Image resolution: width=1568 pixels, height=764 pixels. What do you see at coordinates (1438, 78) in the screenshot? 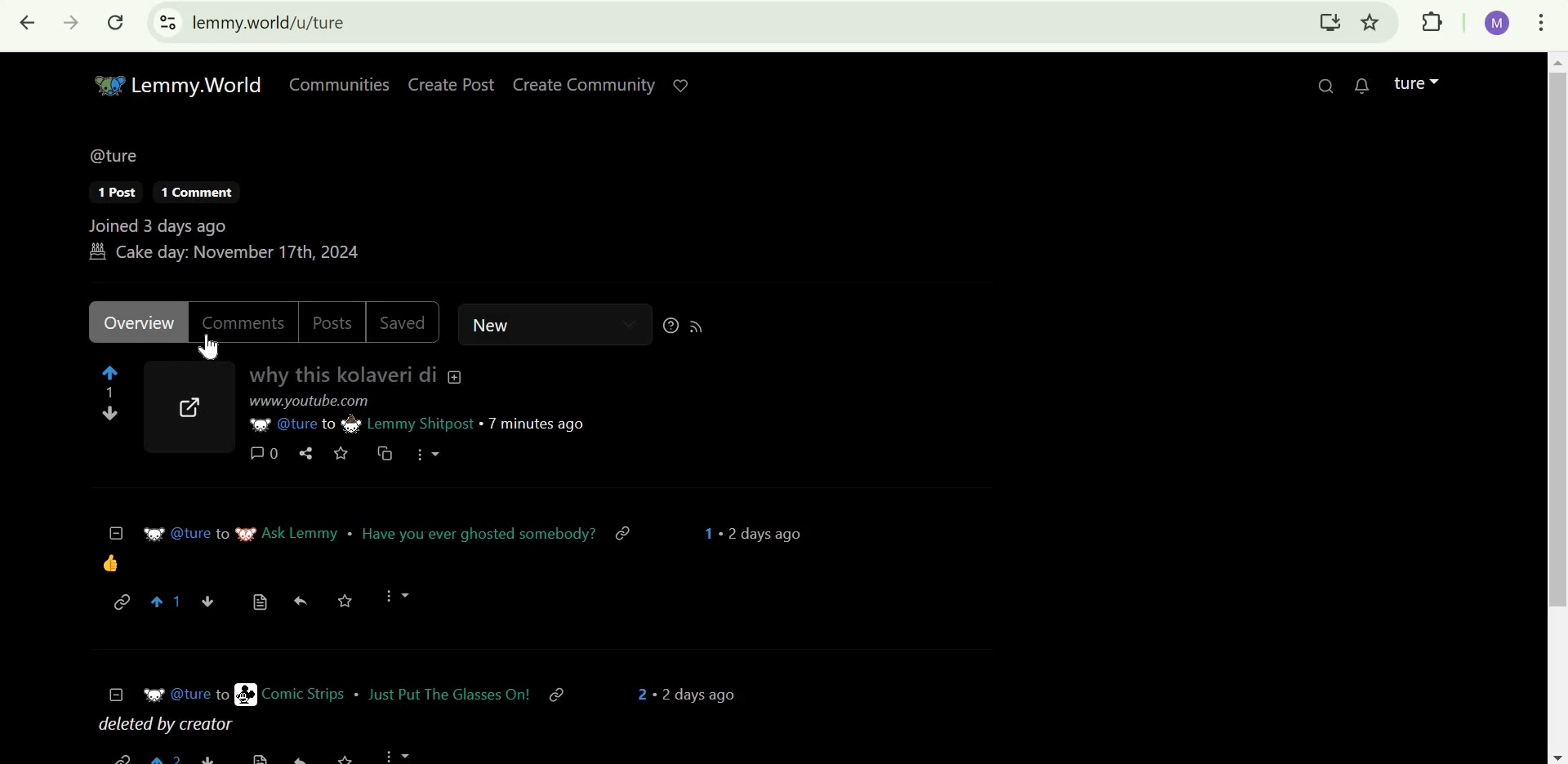
I see `expand` at bounding box center [1438, 78].